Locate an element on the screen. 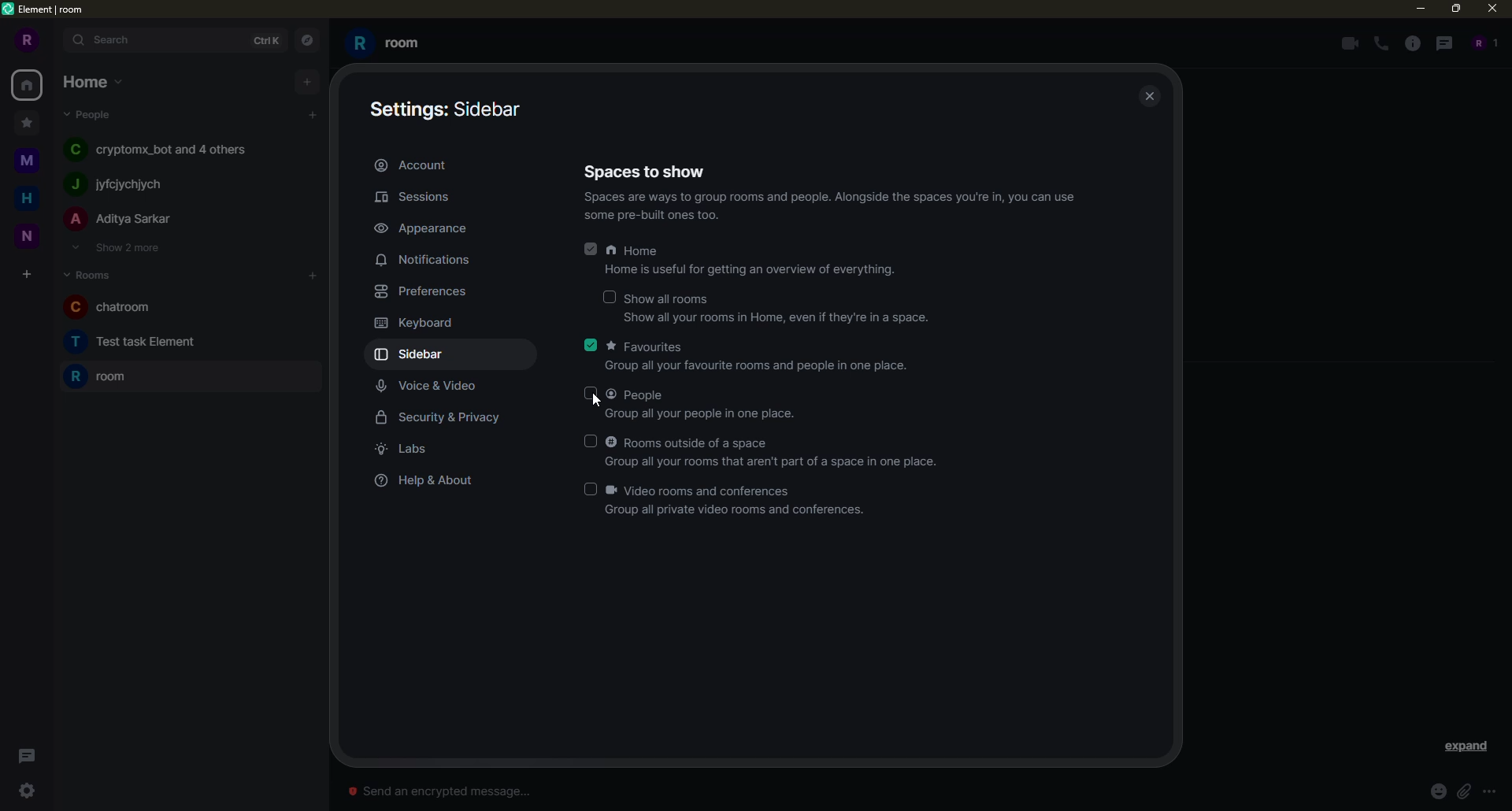  sidebar is located at coordinates (413, 355).